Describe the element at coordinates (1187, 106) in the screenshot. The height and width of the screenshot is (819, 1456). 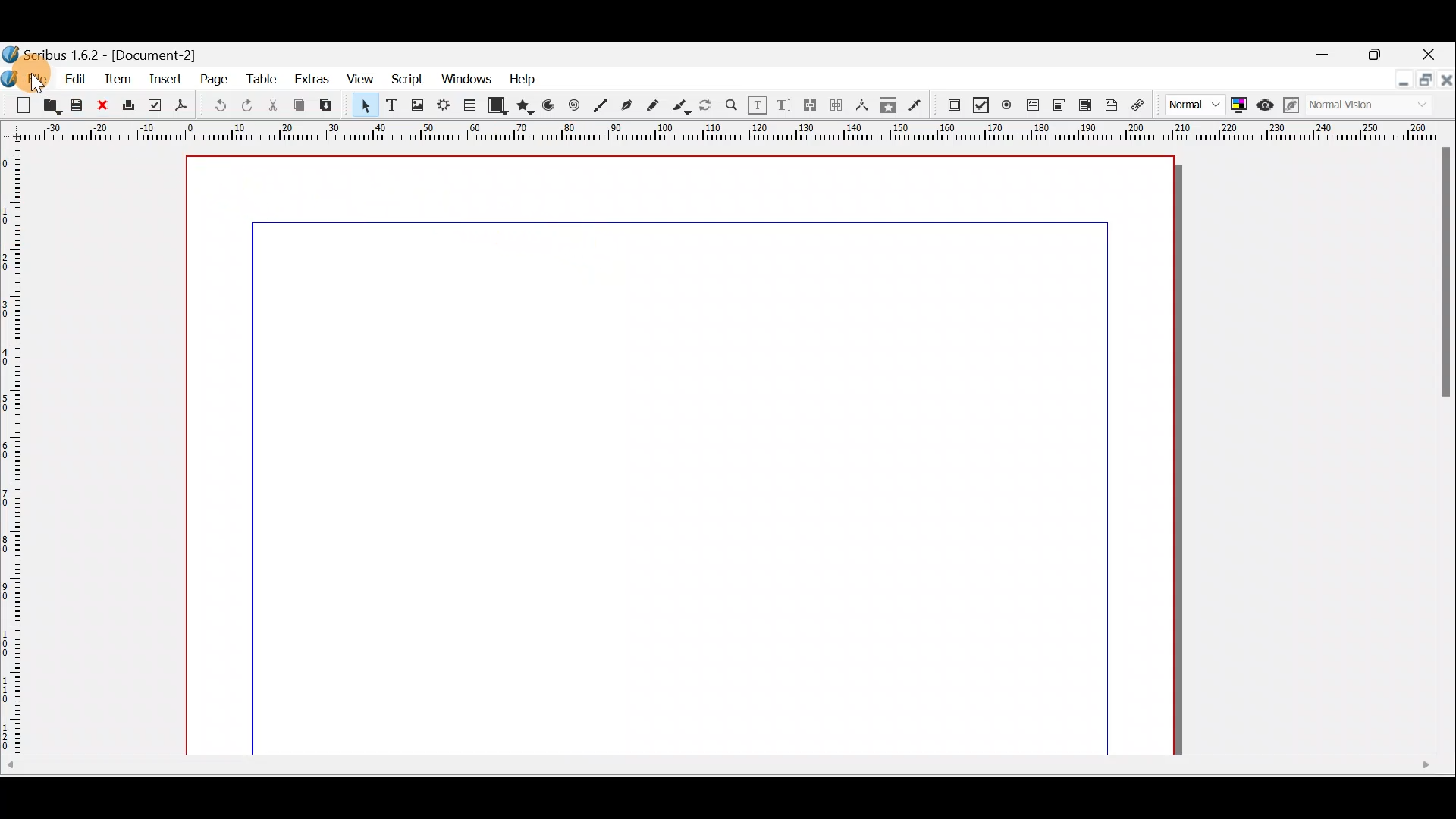
I see `Image preview quality` at that location.